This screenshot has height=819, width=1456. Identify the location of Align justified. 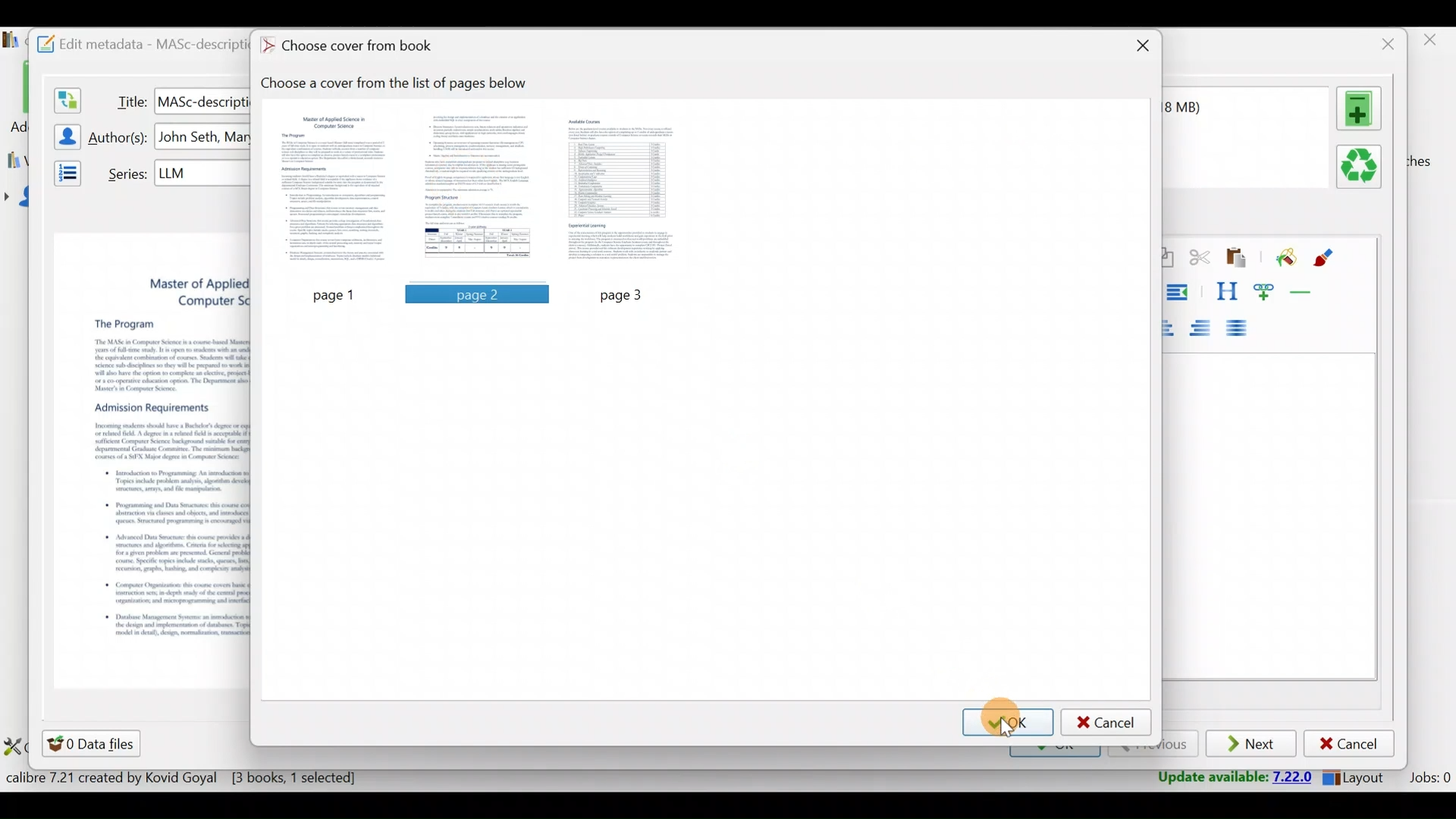
(1241, 329).